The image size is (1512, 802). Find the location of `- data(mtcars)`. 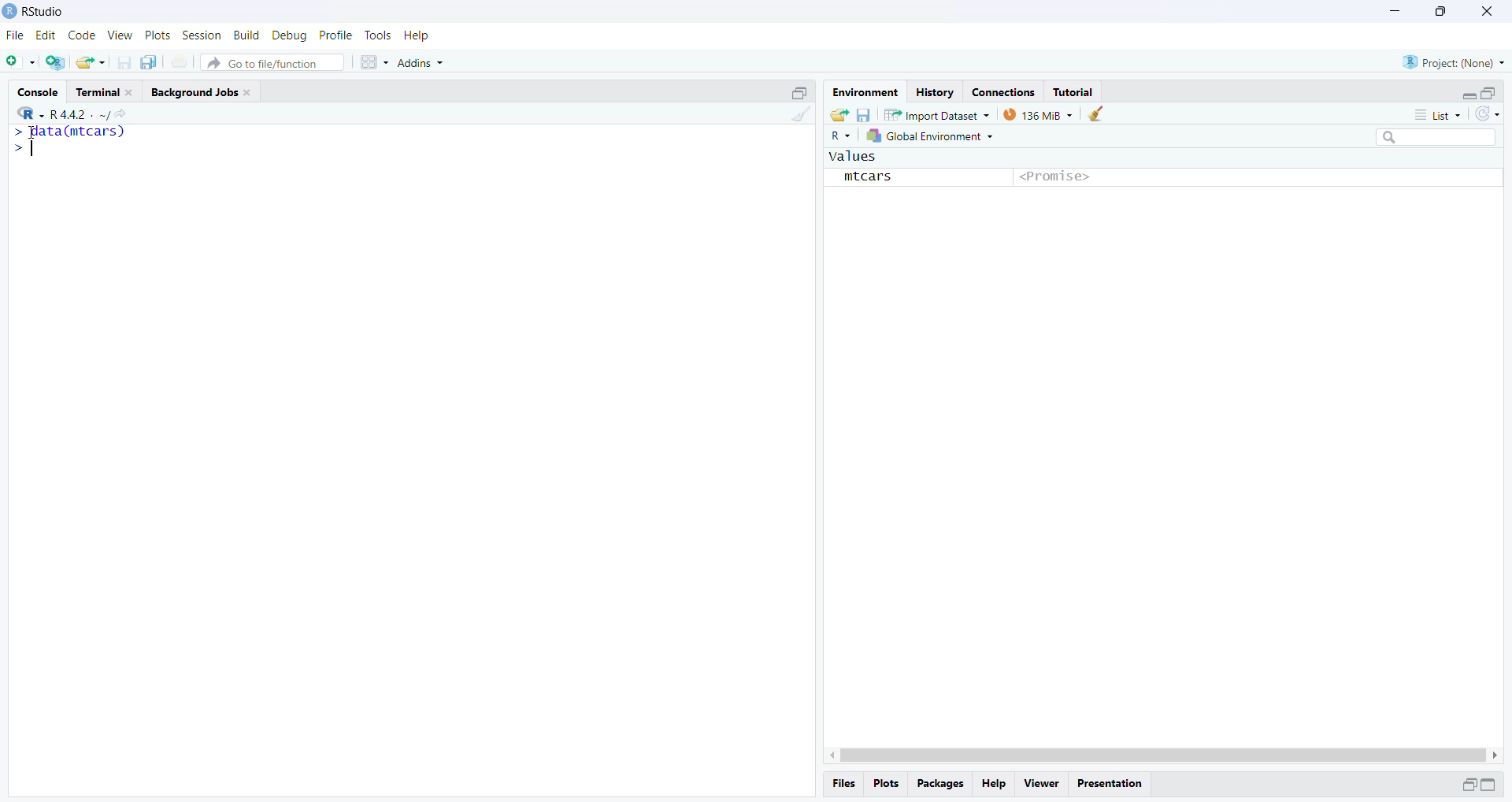

- data(mtcars) is located at coordinates (80, 133).